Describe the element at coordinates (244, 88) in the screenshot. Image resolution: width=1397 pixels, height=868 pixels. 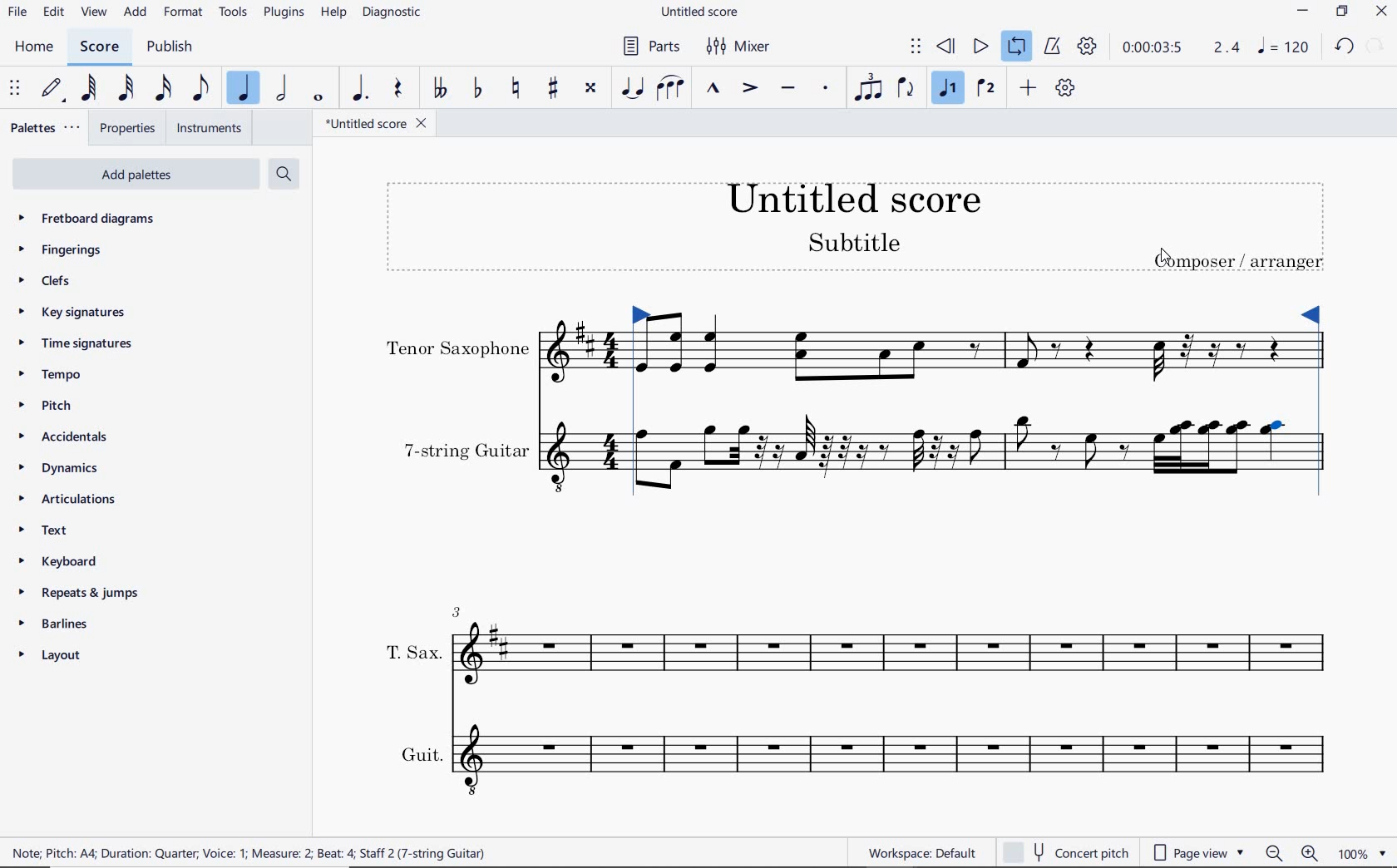
I see `QUARTER NOTE` at that location.